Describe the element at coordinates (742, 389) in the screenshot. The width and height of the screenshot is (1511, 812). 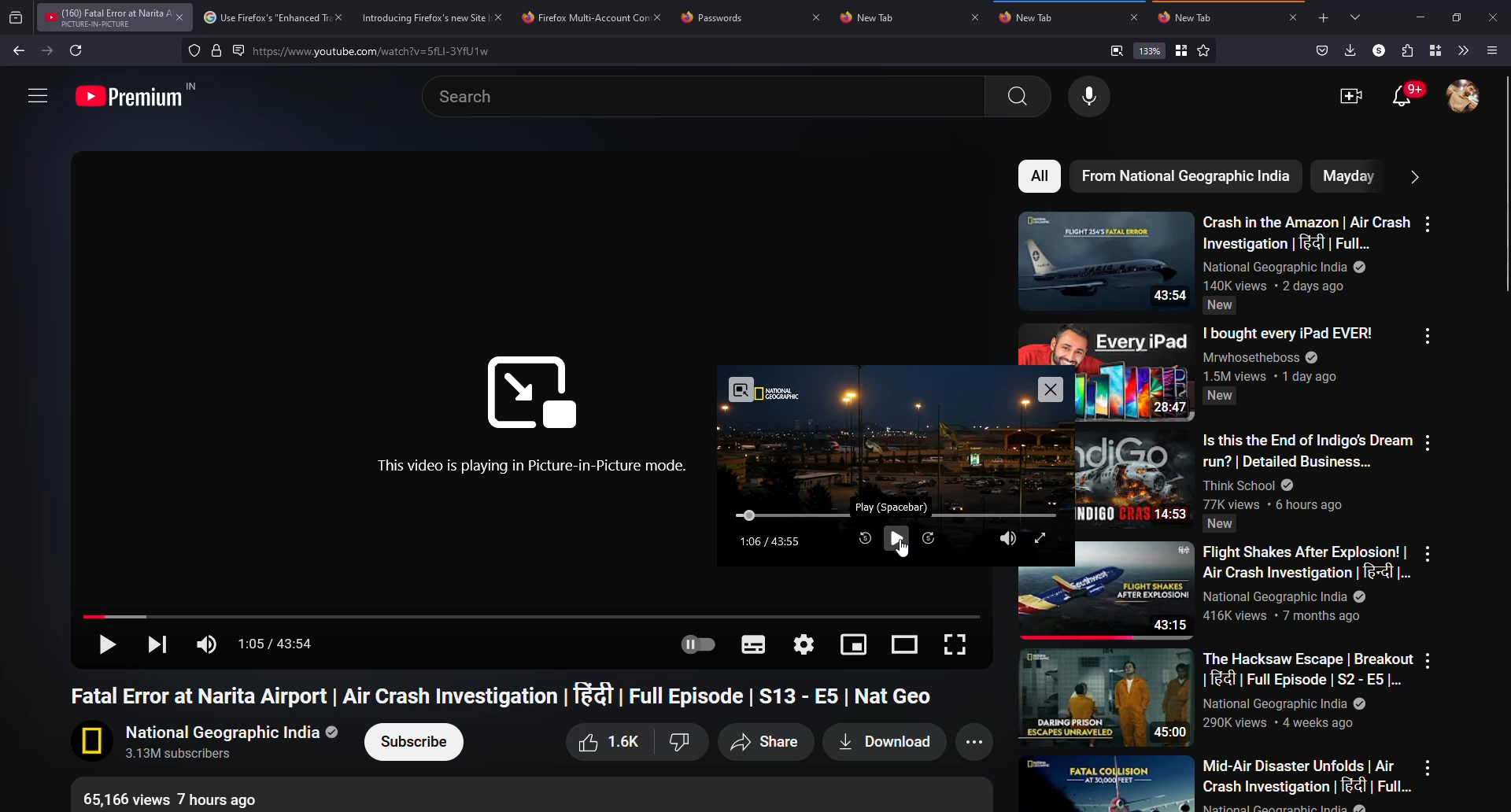
I see `exit` at that location.